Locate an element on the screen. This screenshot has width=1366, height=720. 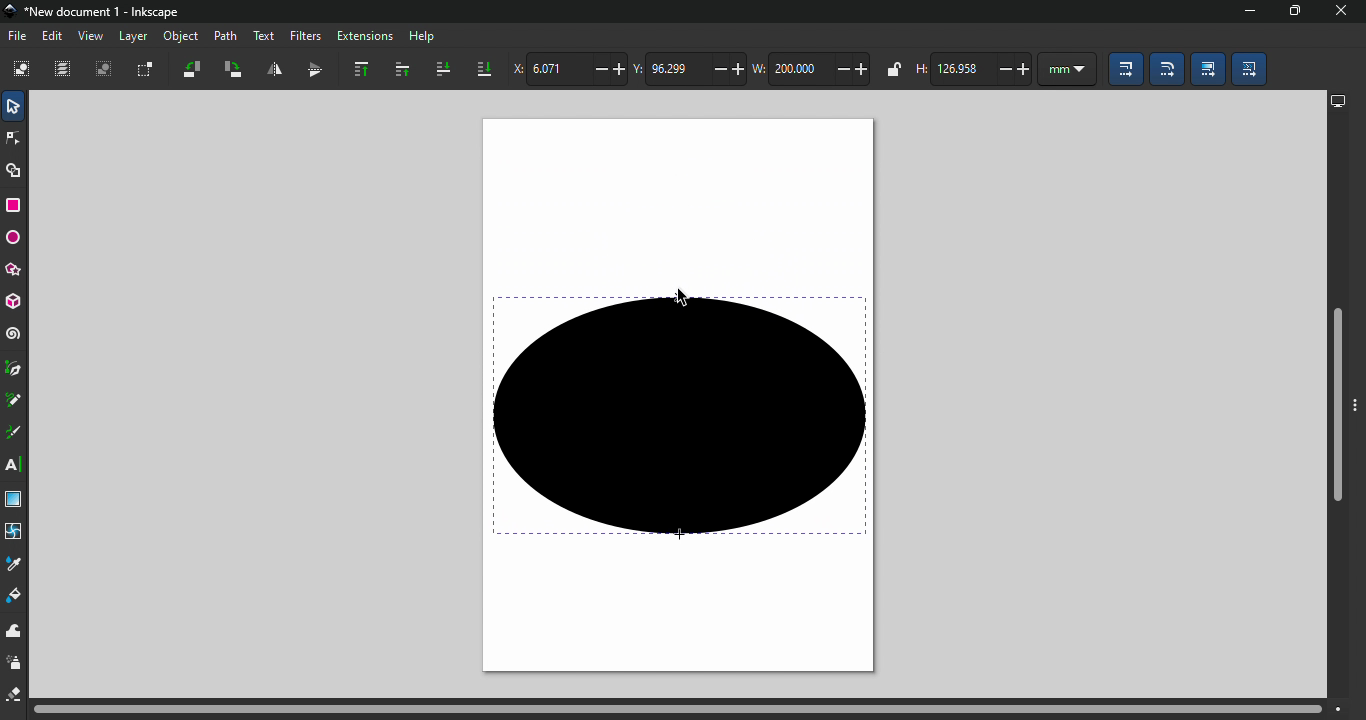
Text is located at coordinates (262, 34).